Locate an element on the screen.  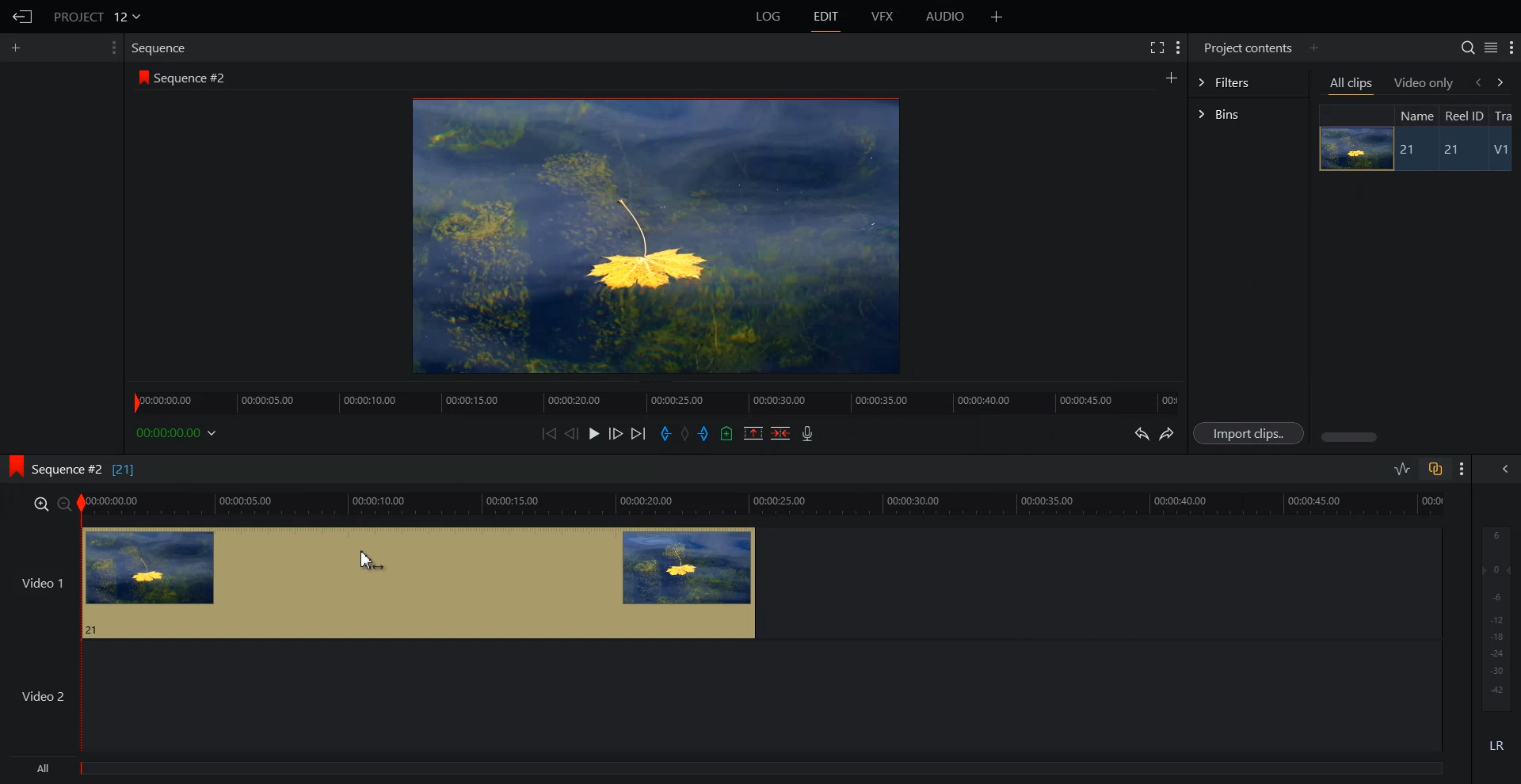
Reel ID is located at coordinates (1463, 116).